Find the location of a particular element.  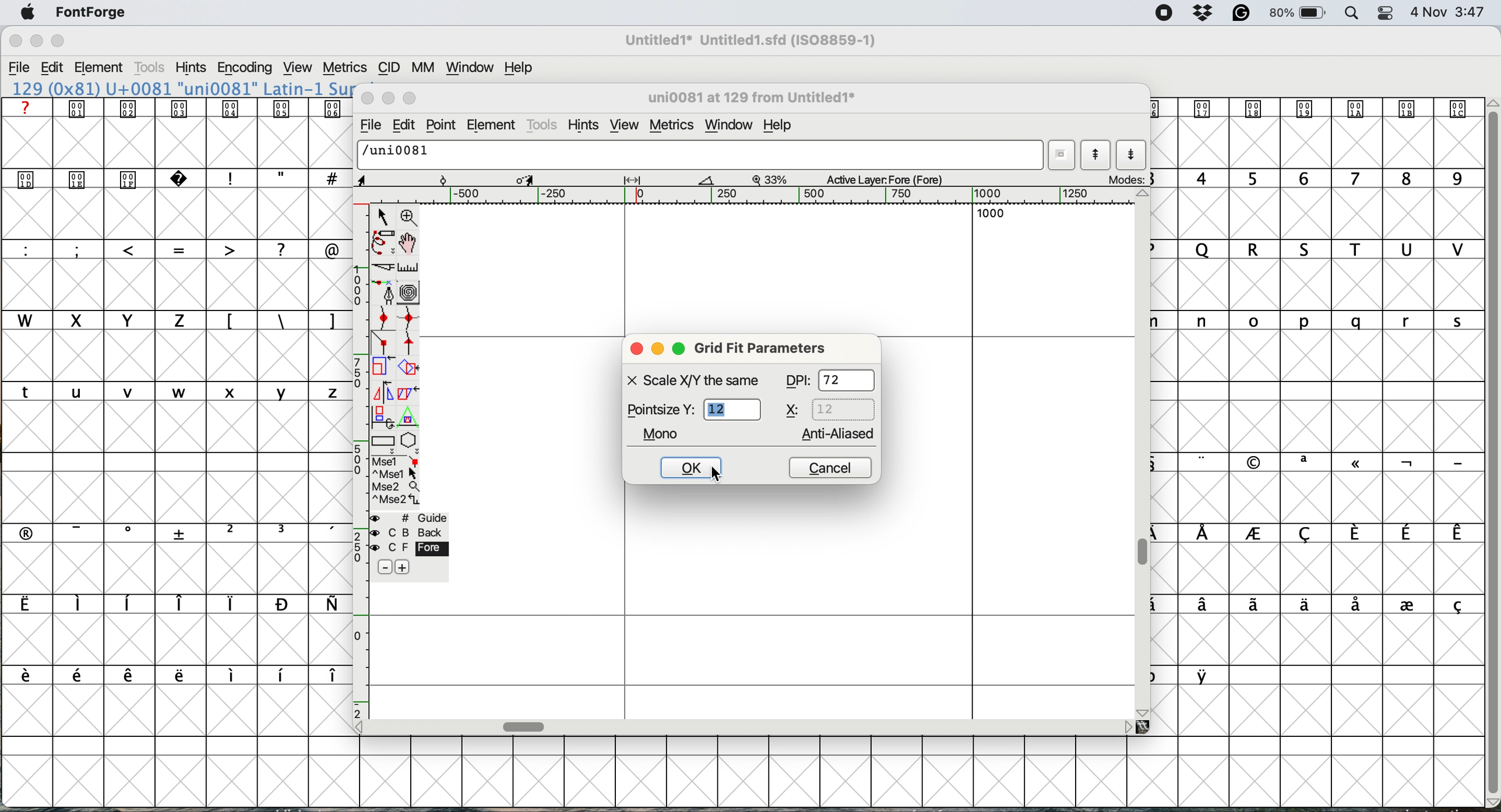

add is located at coordinates (407, 567).